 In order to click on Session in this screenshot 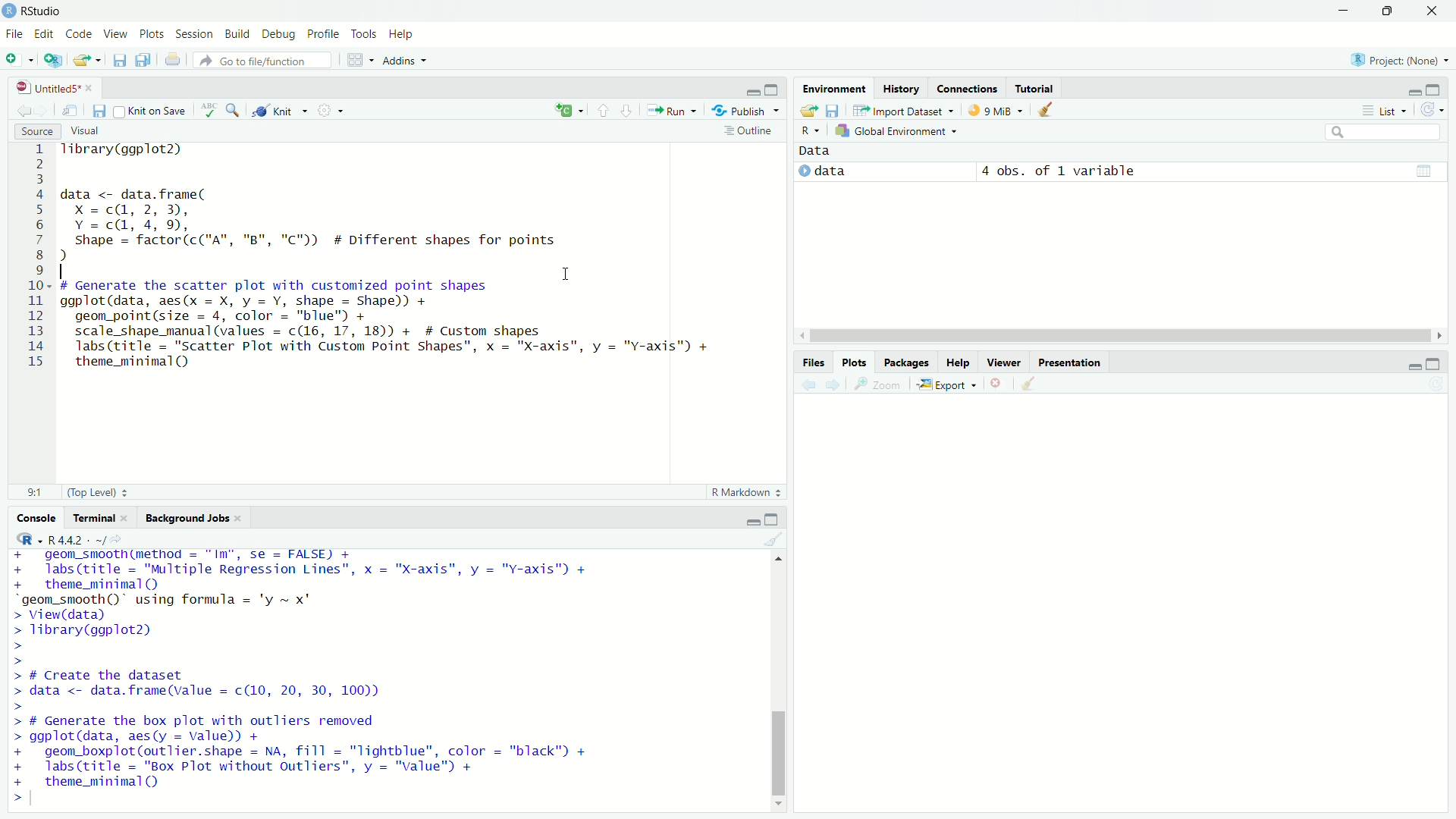, I will do `click(193, 34)`.